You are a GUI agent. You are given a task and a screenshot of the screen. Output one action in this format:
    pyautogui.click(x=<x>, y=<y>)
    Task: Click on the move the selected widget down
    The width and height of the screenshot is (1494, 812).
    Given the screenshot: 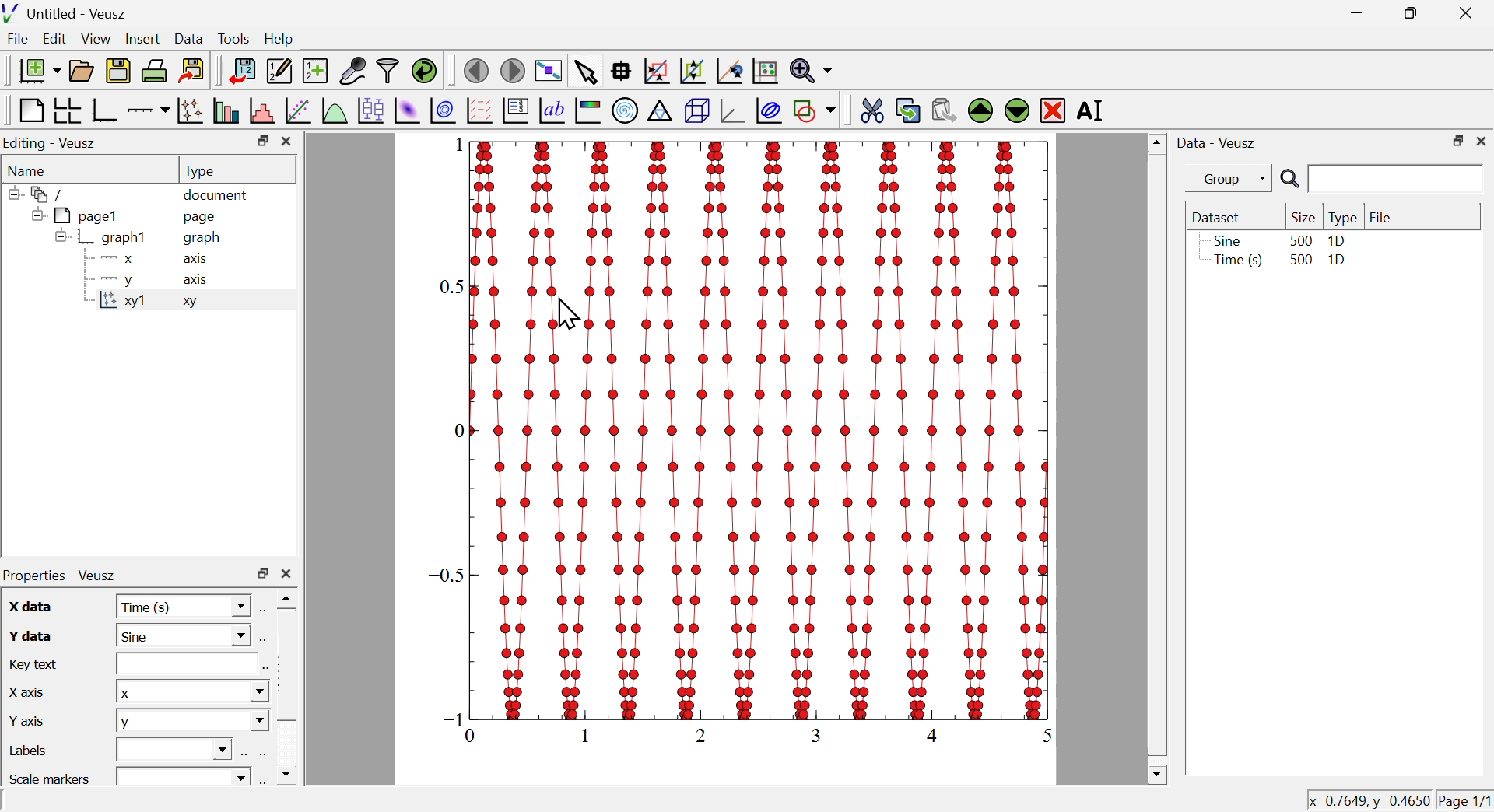 What is the action you would take?
    pyautogui.click(x=1015, y=110)
    